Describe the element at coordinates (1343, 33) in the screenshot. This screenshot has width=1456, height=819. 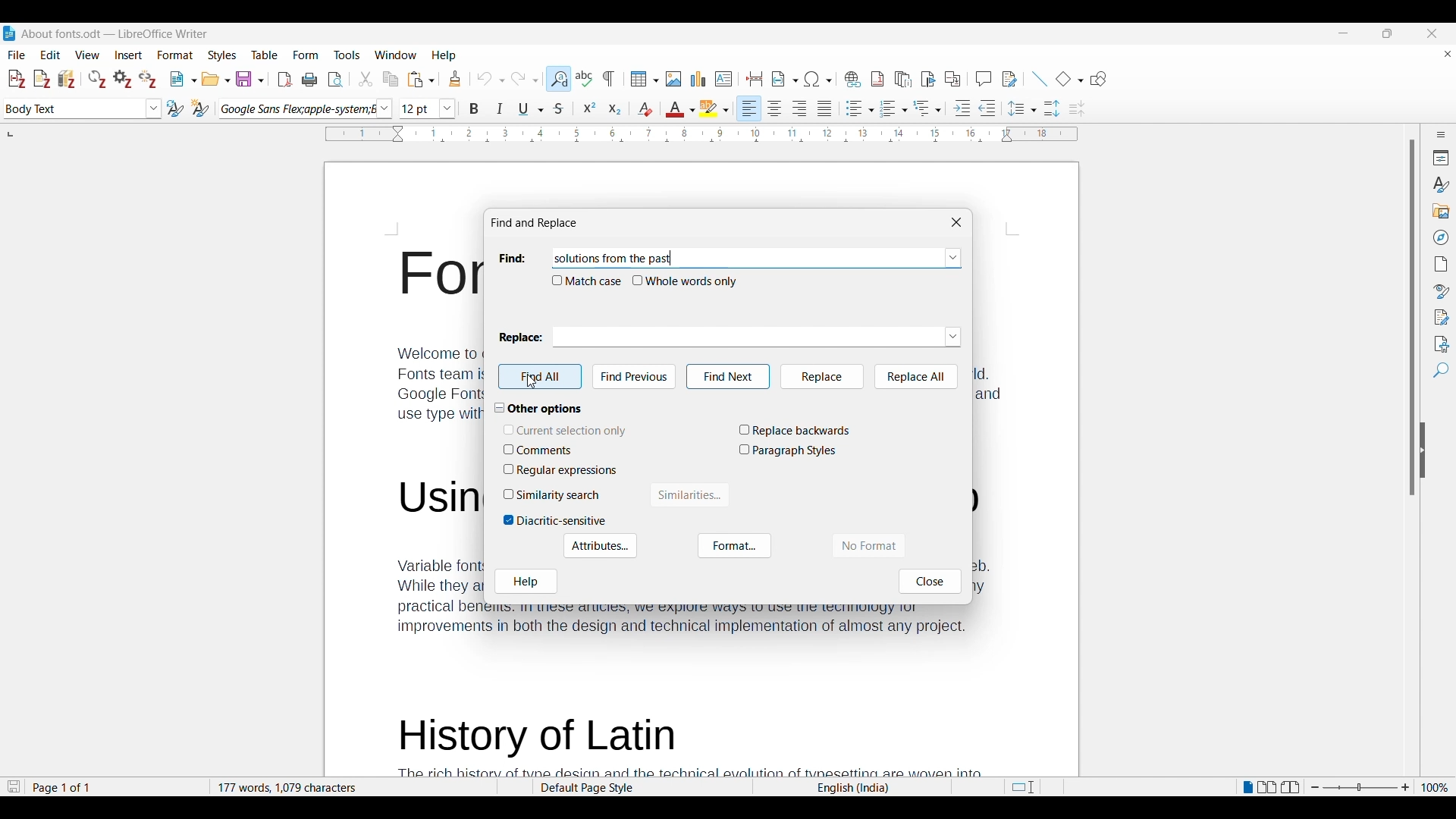
I see `Minimize` at that location.